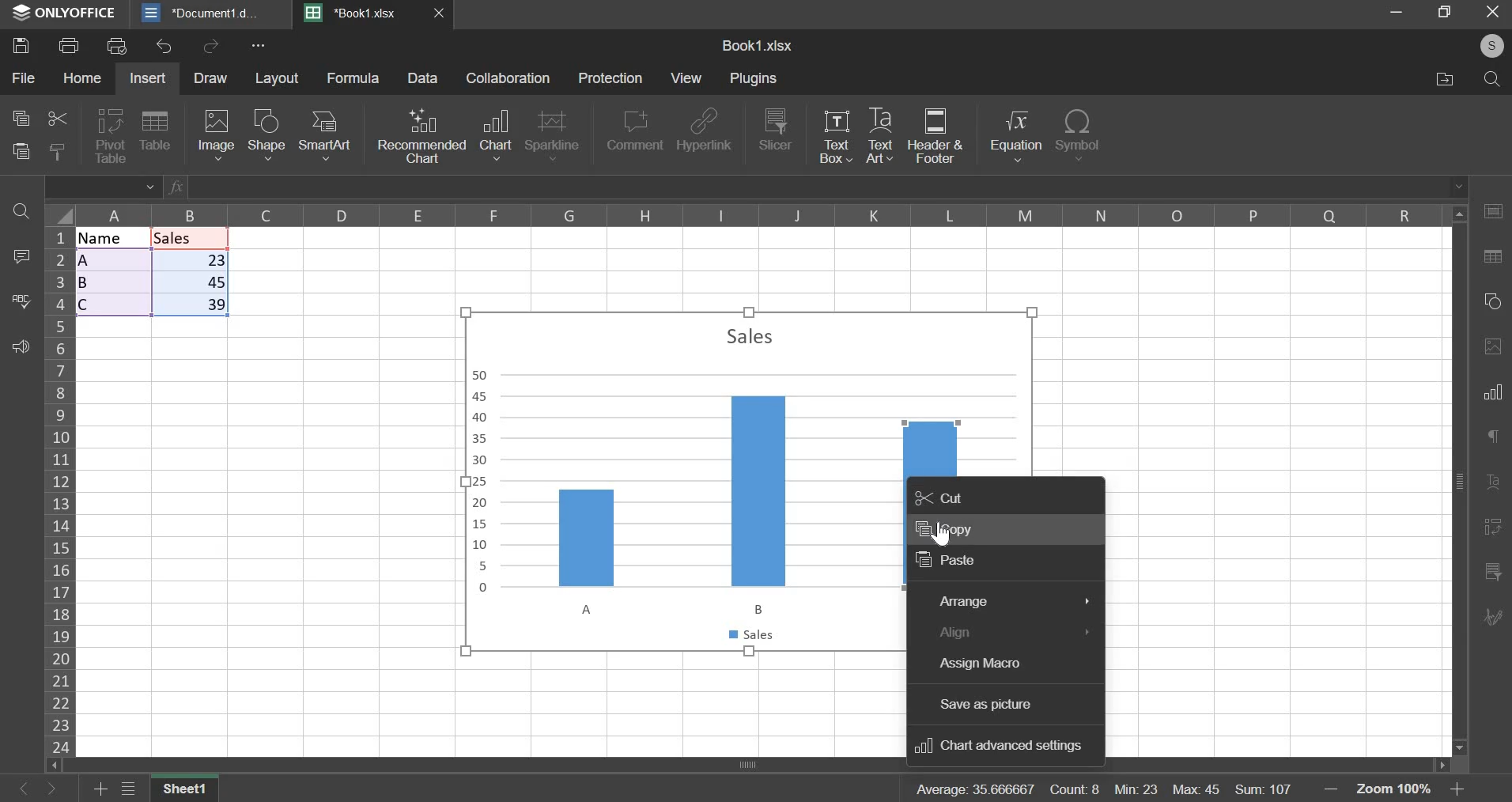 The height and width of the screenshot is (802, 1512). Describe the element at coordinates (270, 50) in the screenshot. I see `more` at that location.